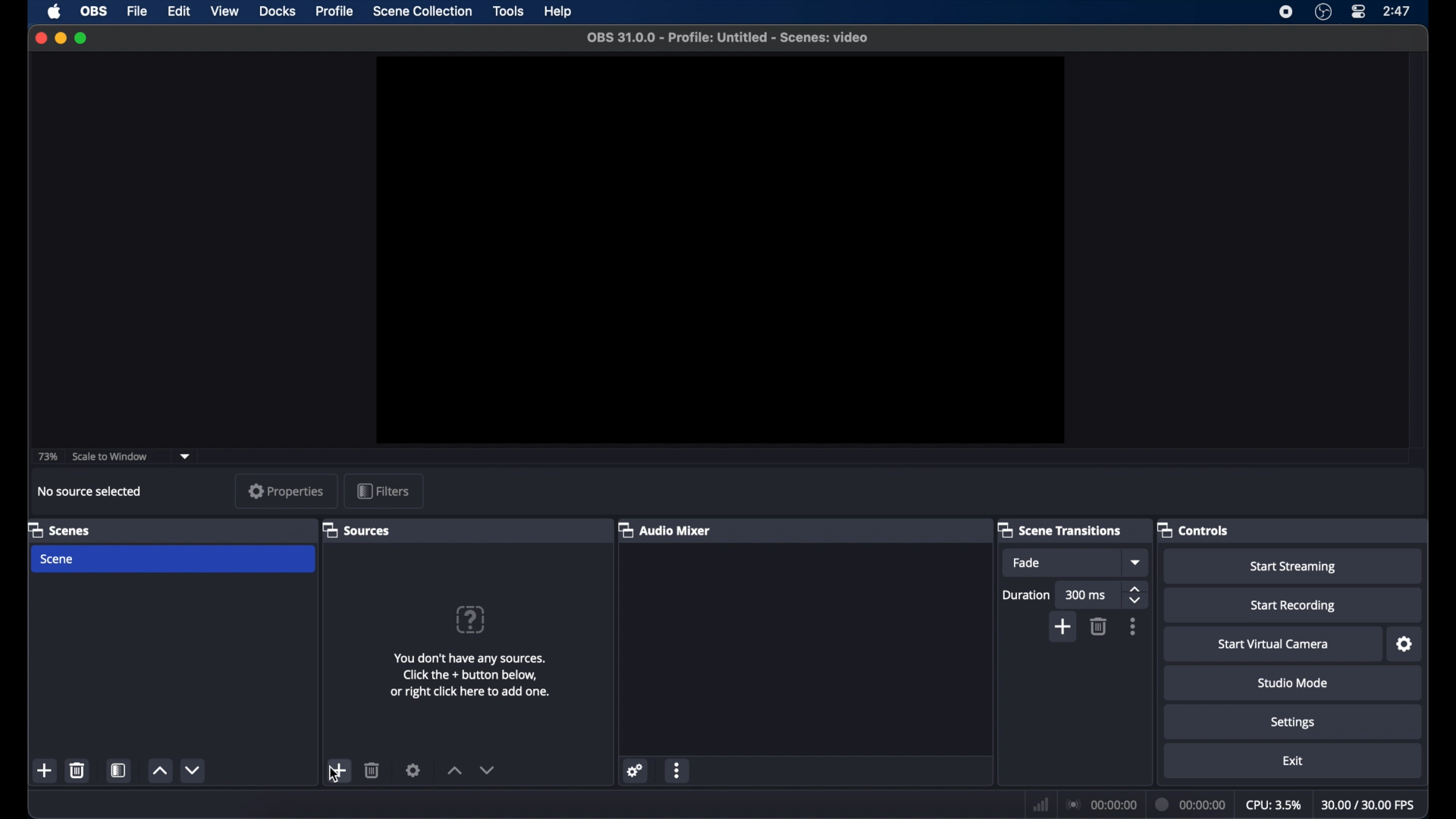 The height and width of the screenshot is (819, 1456). I want to click on close, so click(40, 37).